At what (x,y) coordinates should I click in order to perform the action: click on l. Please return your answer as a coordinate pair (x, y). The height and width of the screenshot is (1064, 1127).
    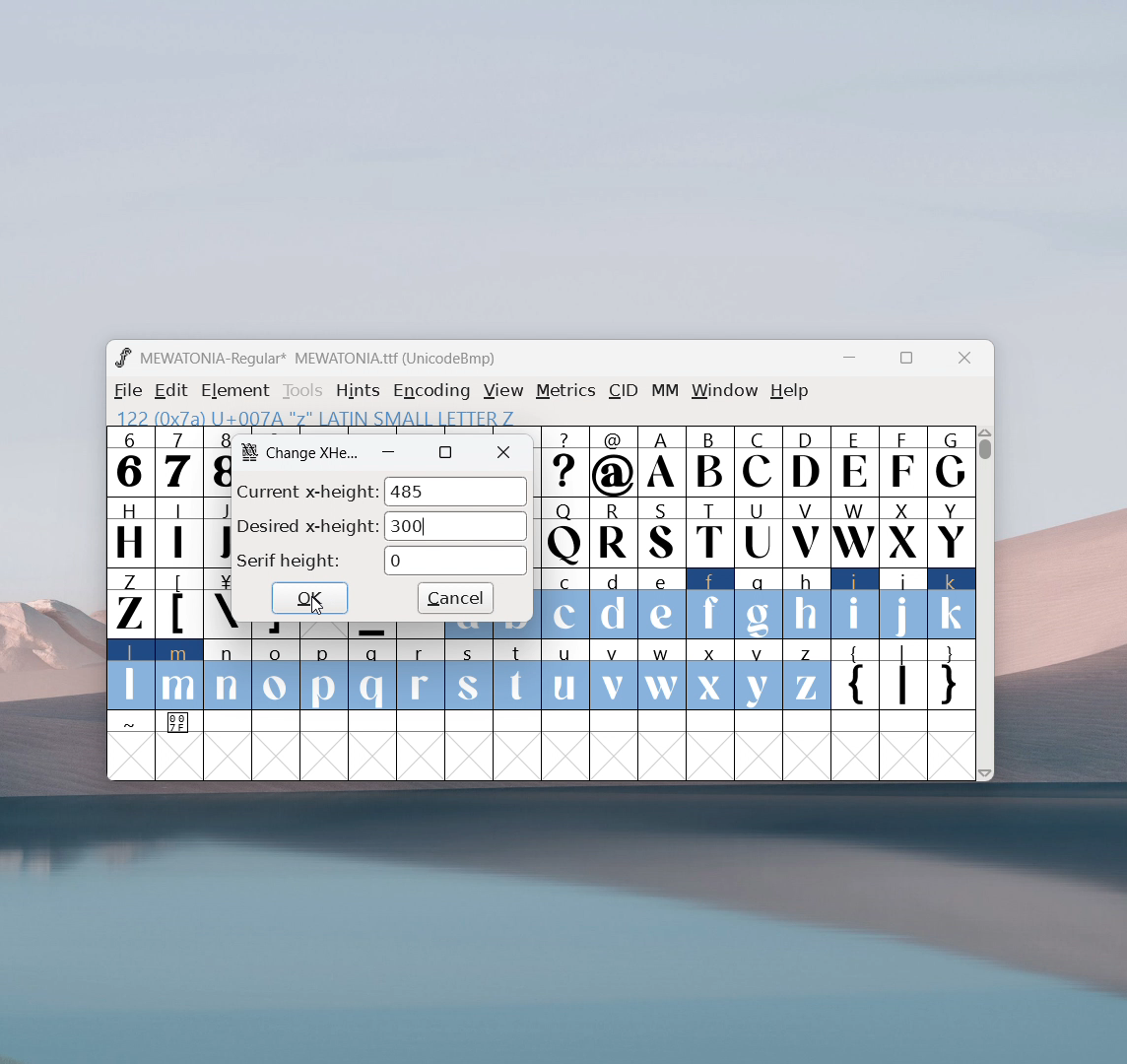
    Looking at the image, I should click on (131, 674).